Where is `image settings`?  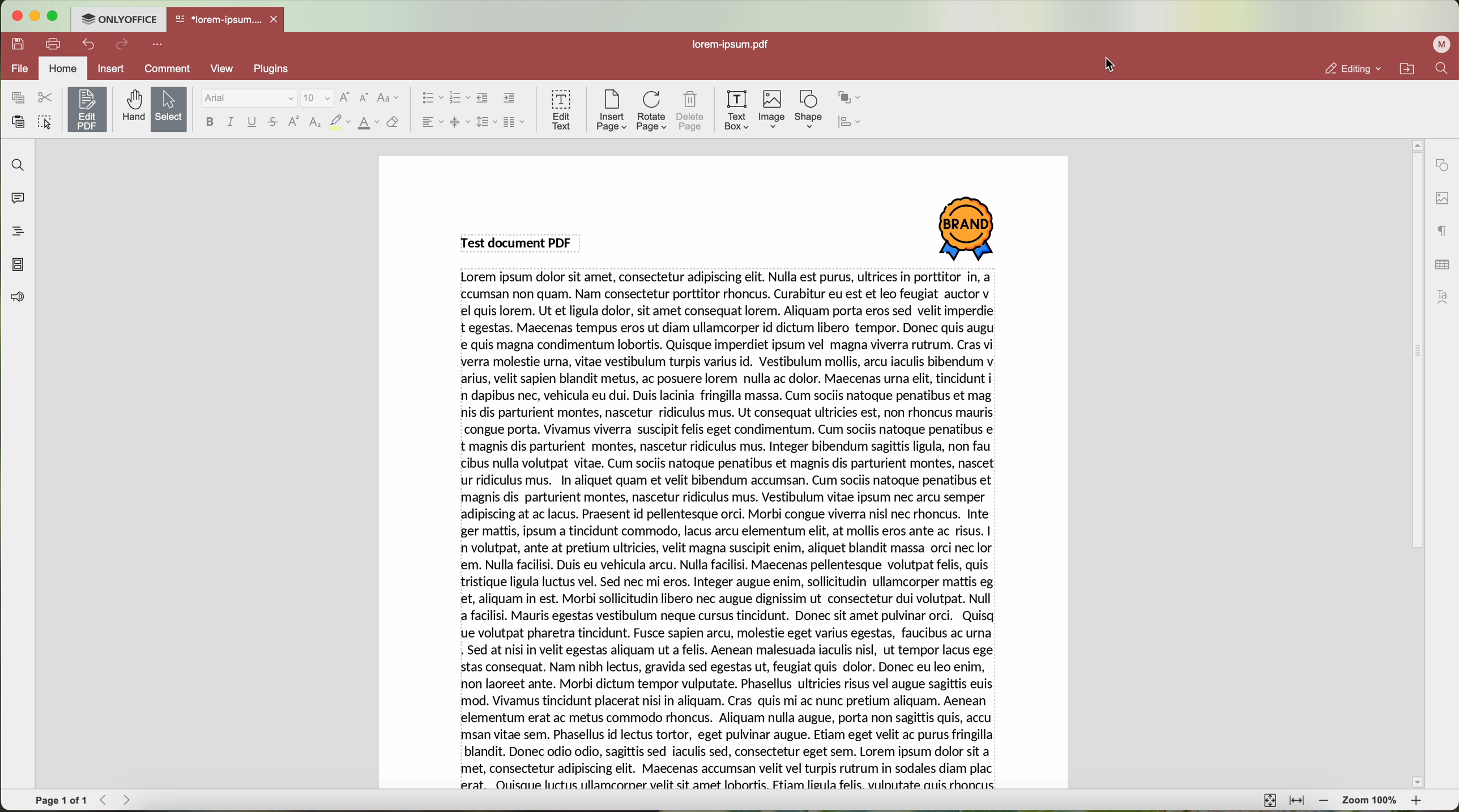
image settings is located at coordinates (1442, 199).